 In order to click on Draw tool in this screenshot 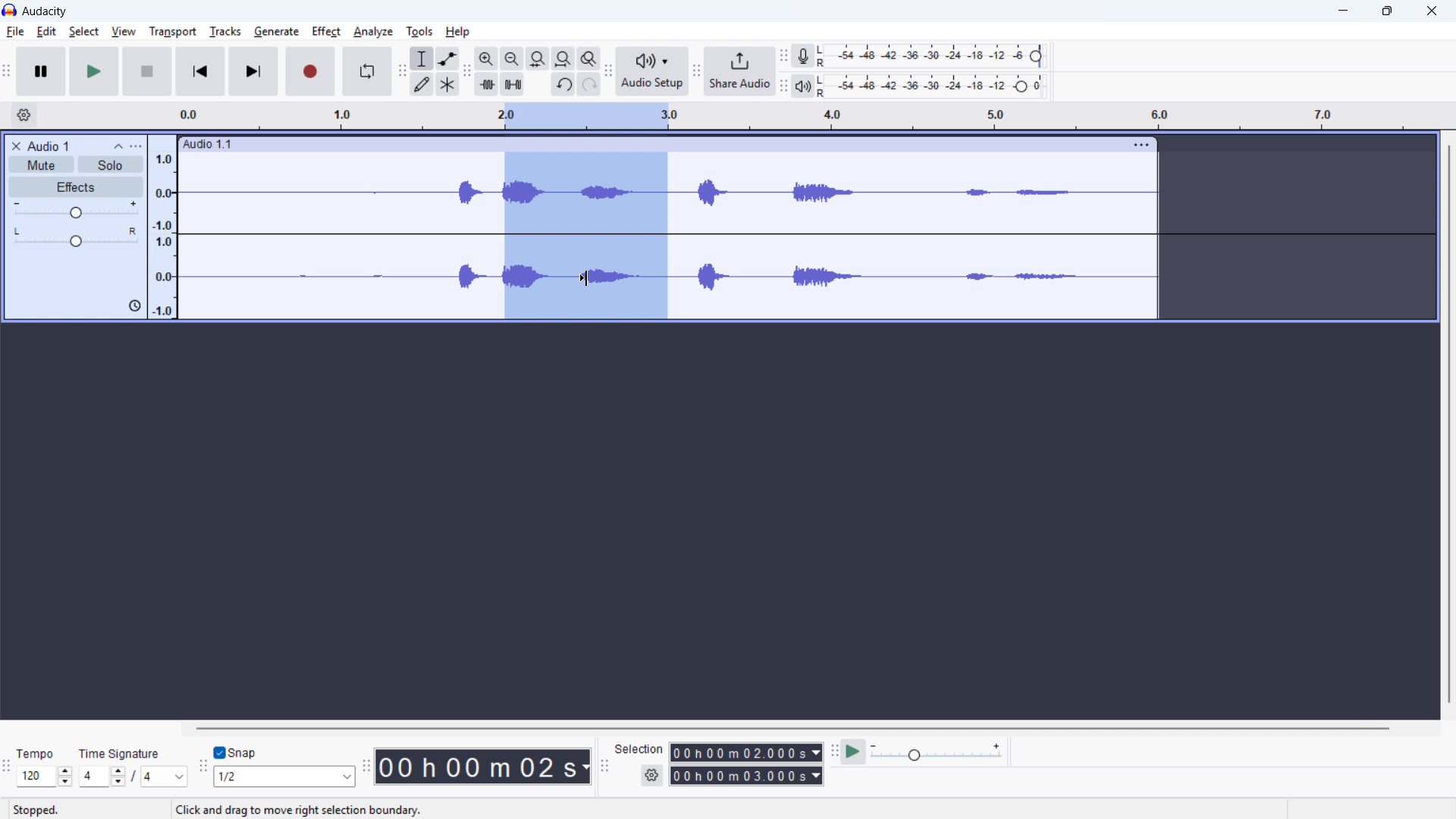, I will do `click(422, 83)`.